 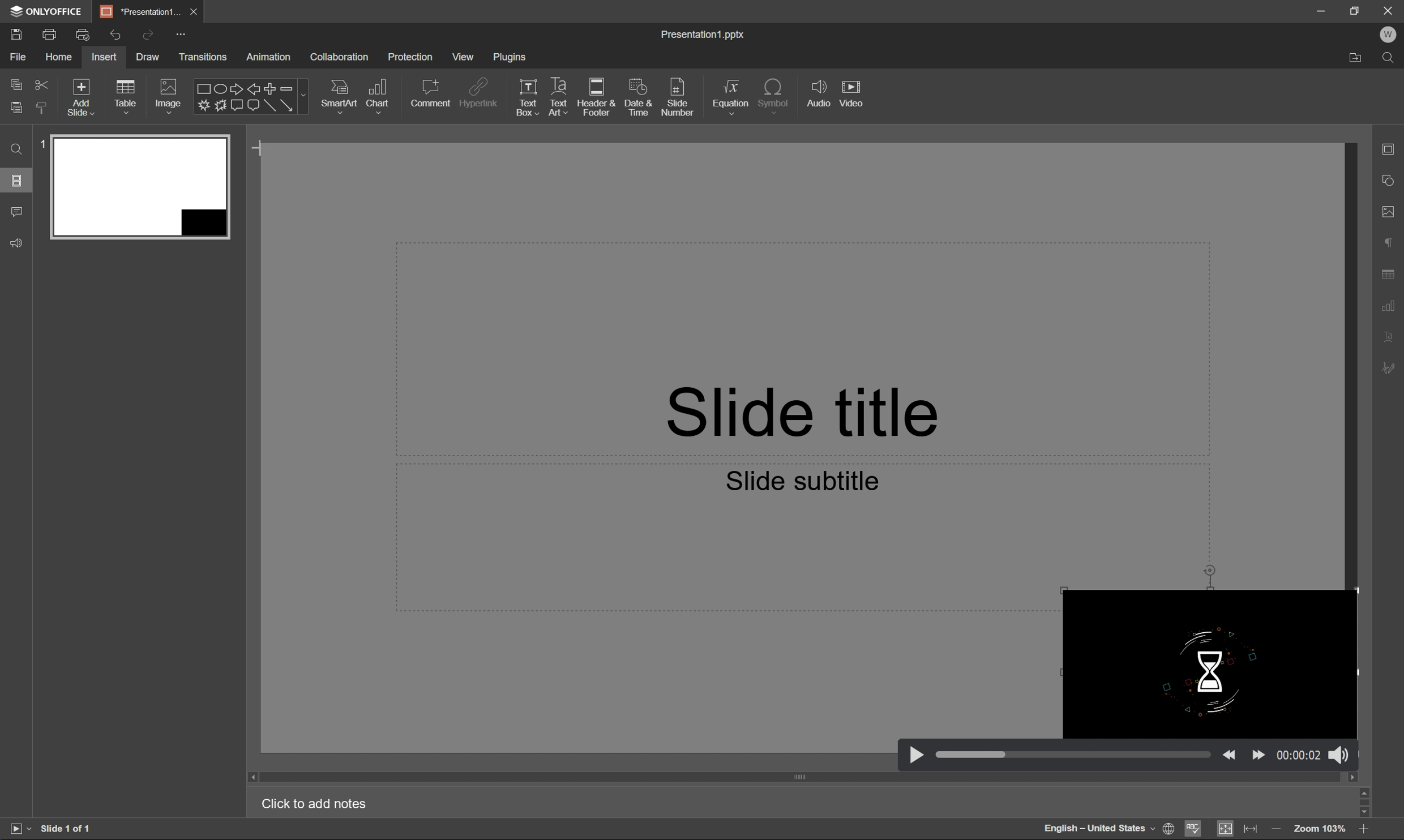 I want to click on slide number, so click(x=681, y=99).